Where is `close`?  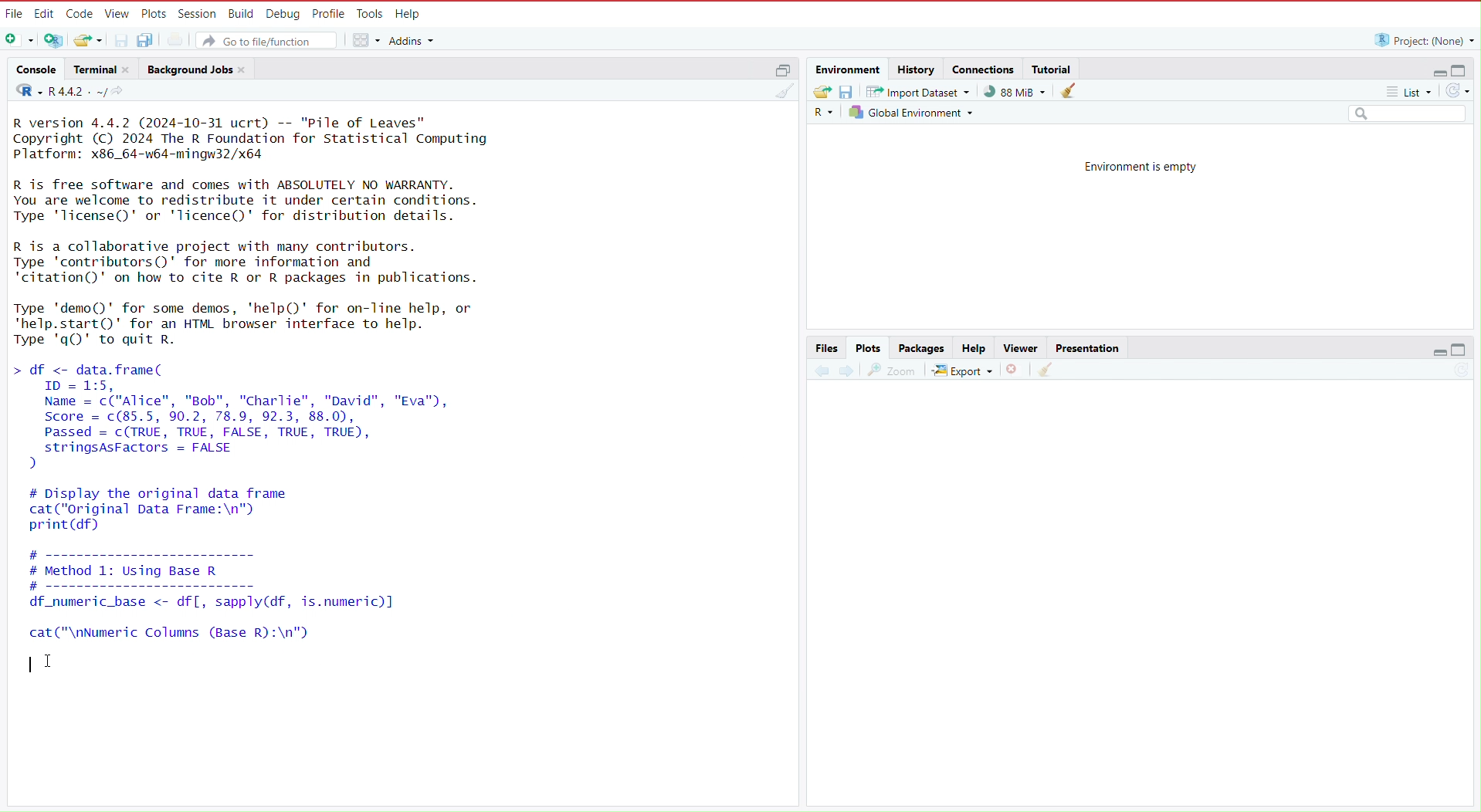
close is located at coordinates (247, 69).